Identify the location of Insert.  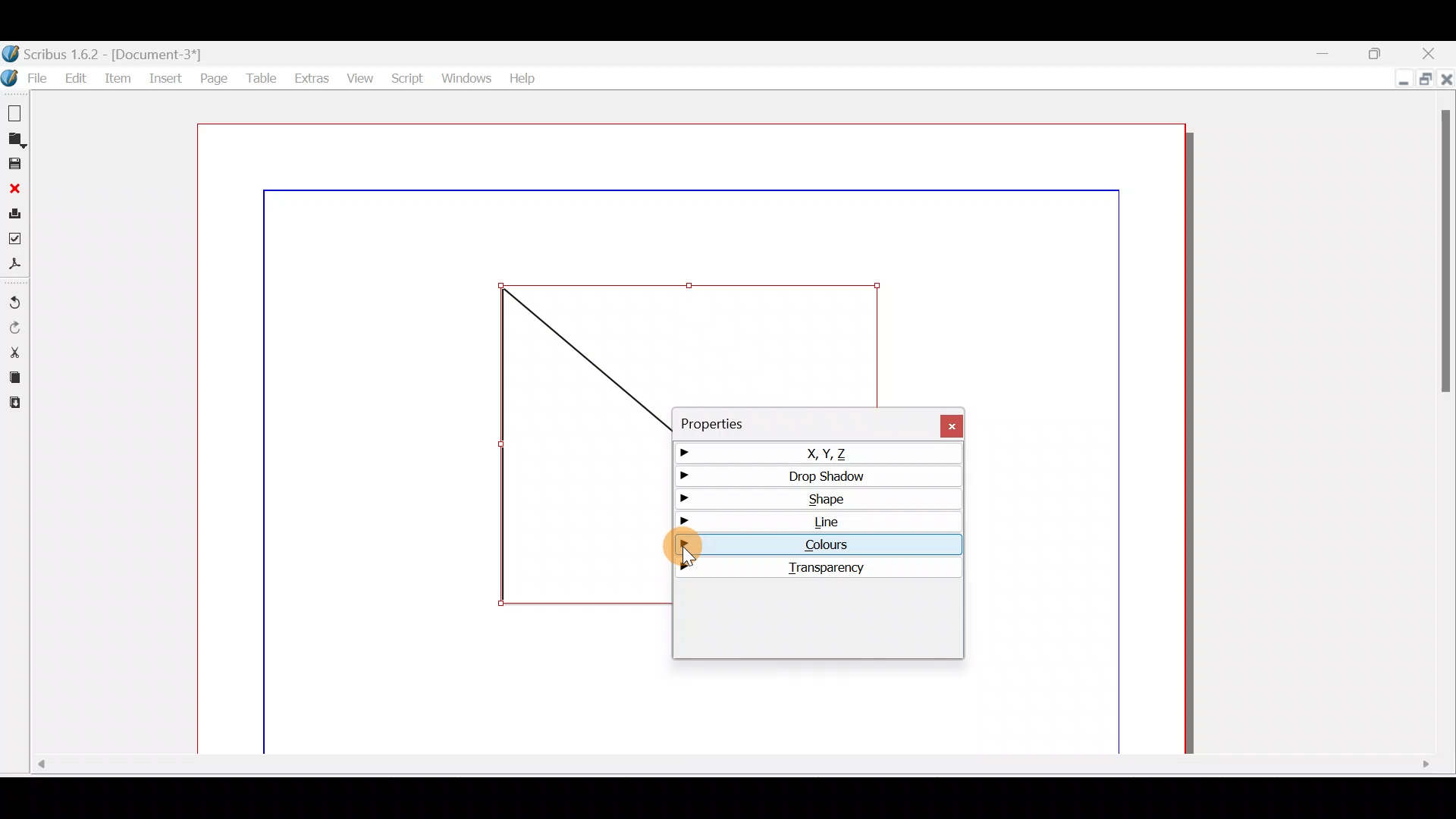
(165, 80).